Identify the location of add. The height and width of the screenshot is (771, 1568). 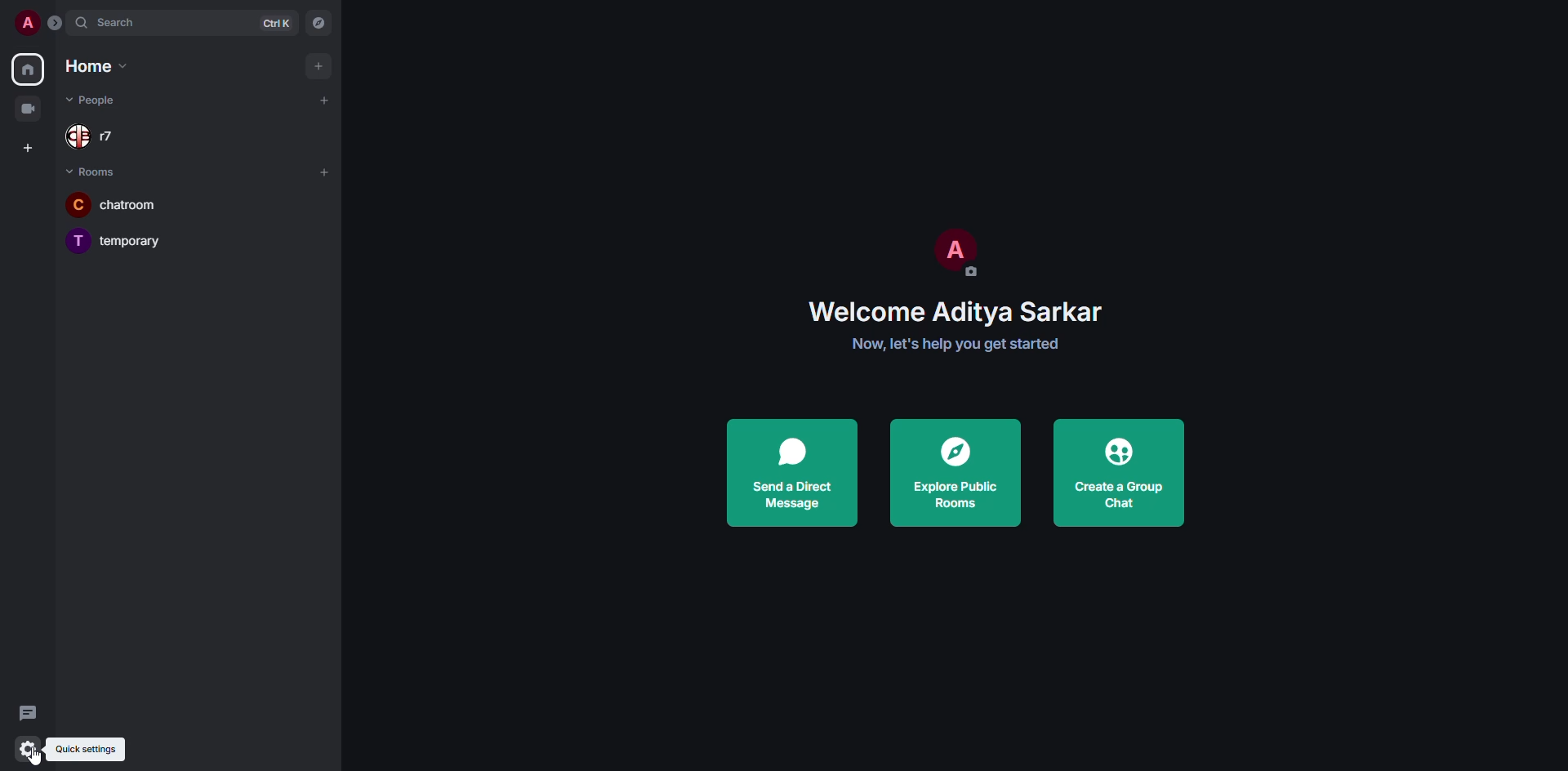
(323, 100).